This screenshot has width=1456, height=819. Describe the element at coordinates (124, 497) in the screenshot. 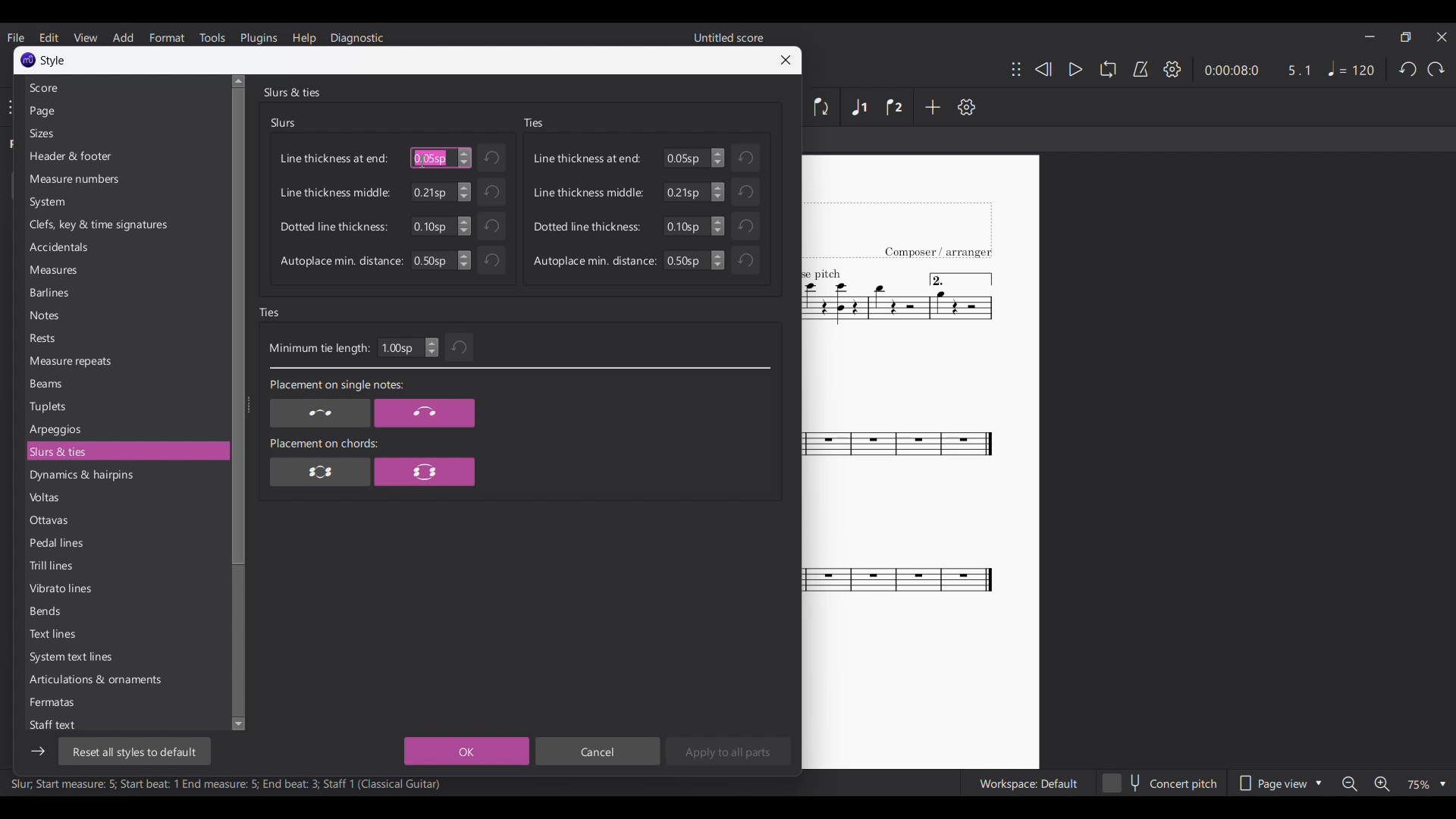

I see `Voltas` at that location.